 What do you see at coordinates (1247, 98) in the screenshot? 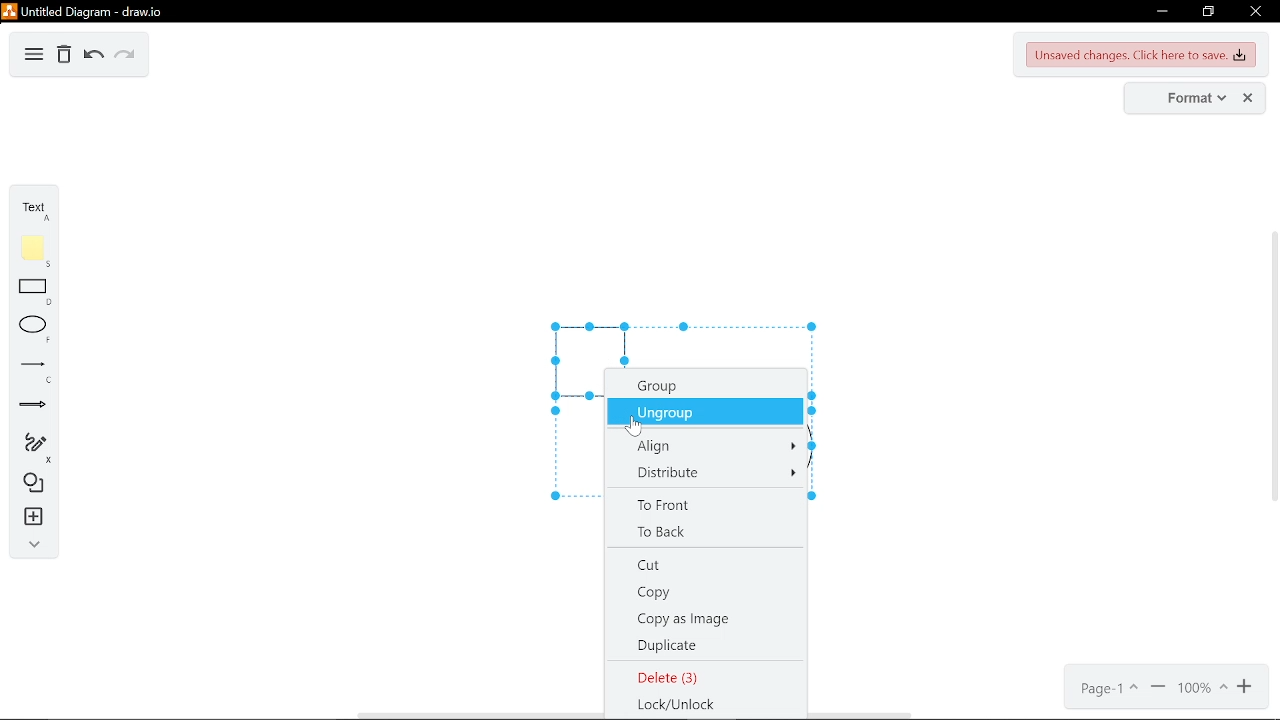
I see `close format` at bounding box center [1247, 98].